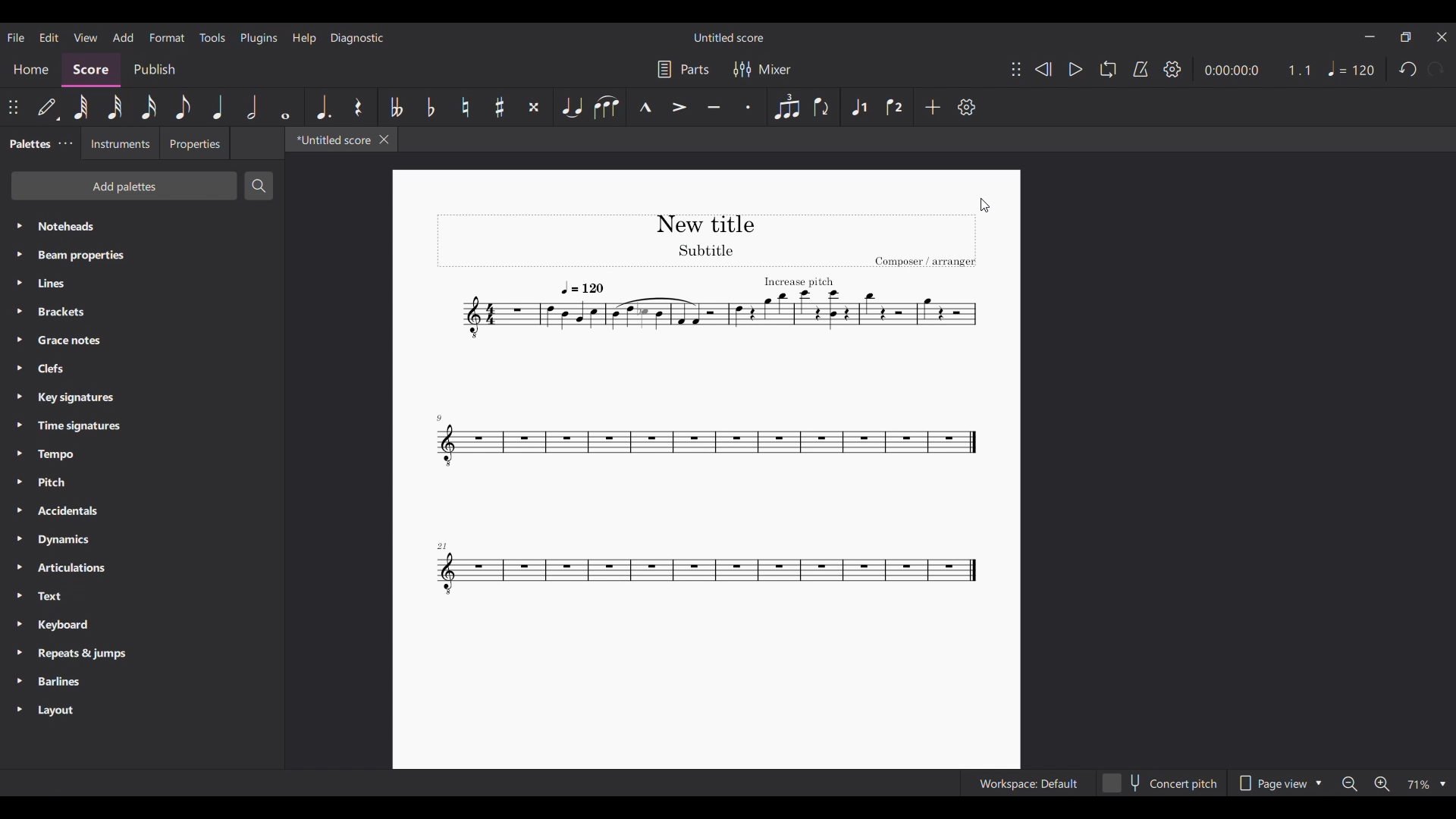 The height and width of the screenshot is (819, 1456). Describe the element at coordinates (252, 107) in the screenshot. I see `Half note` at that location.